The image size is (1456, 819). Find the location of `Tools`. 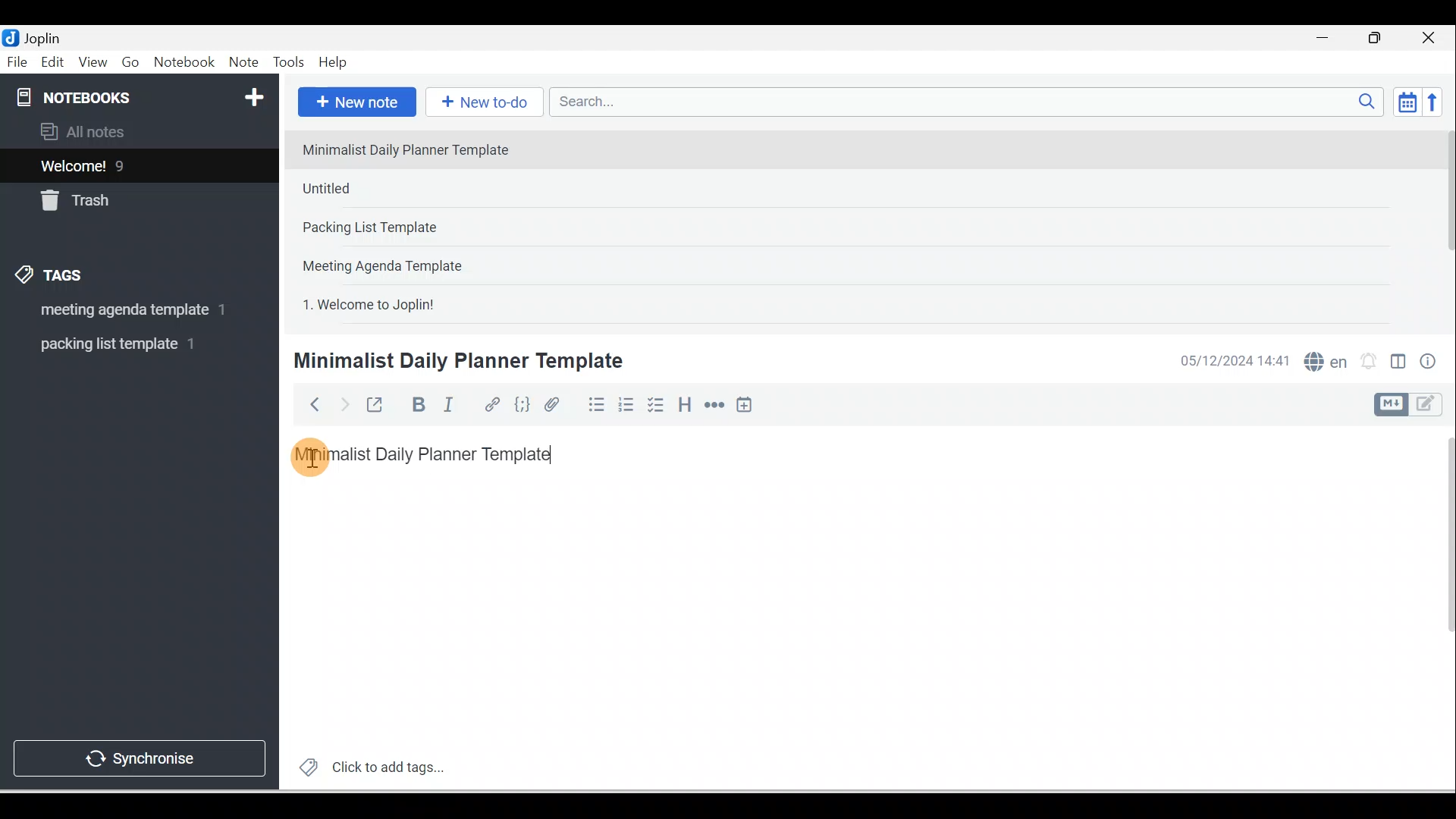

Tools is located at coordinates (288, 62).